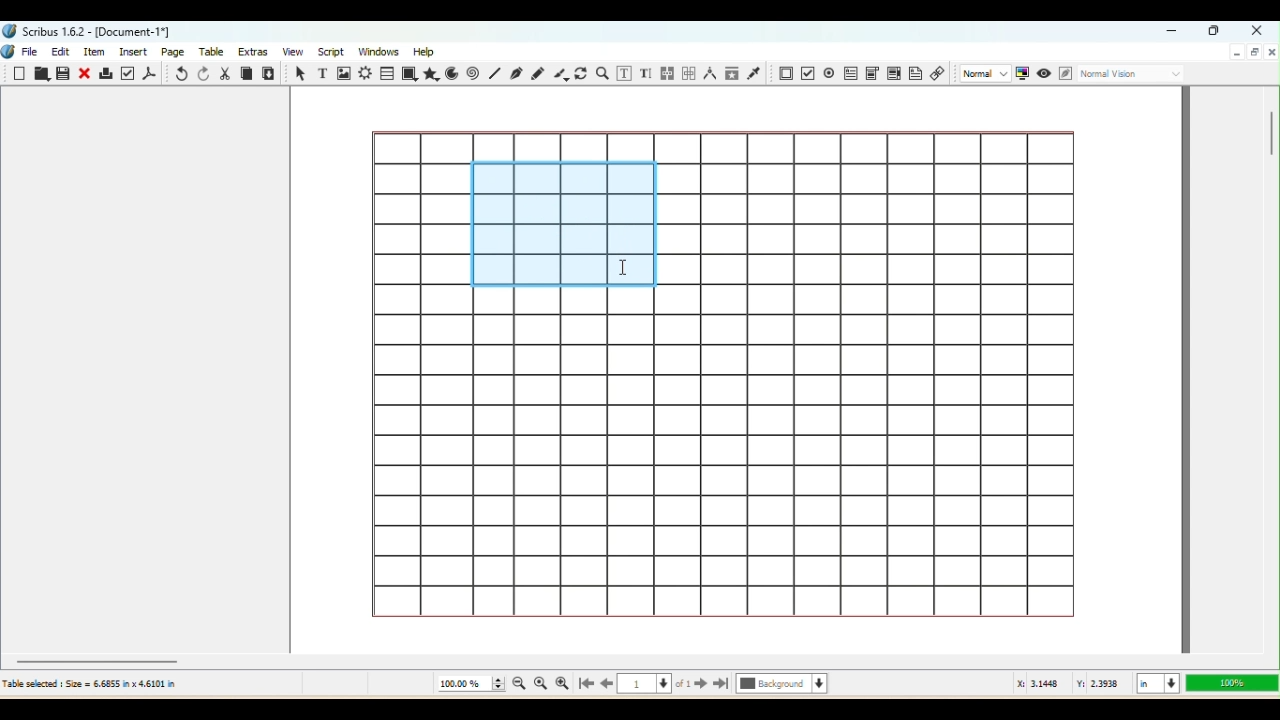 This screenshot has width=1280, height=720. What do you see at coordinates (639, 660) in the screenshot?
I see `Horizontal scroll bar` at bounding box center [639, 660].